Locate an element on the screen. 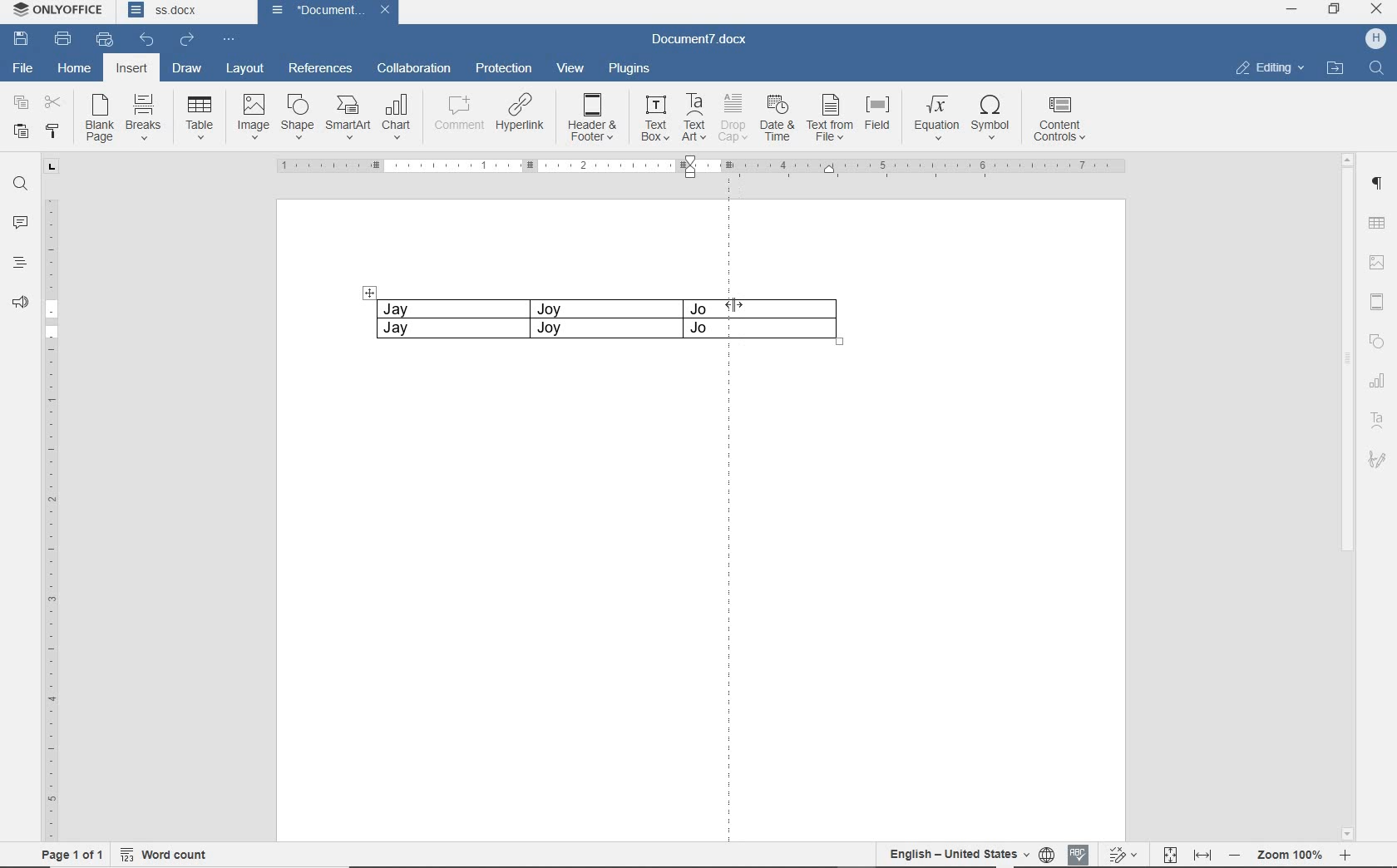 Image resolution: width=1397 pixels, height=868 pixels. column resize is located at coordinates (804, 320).